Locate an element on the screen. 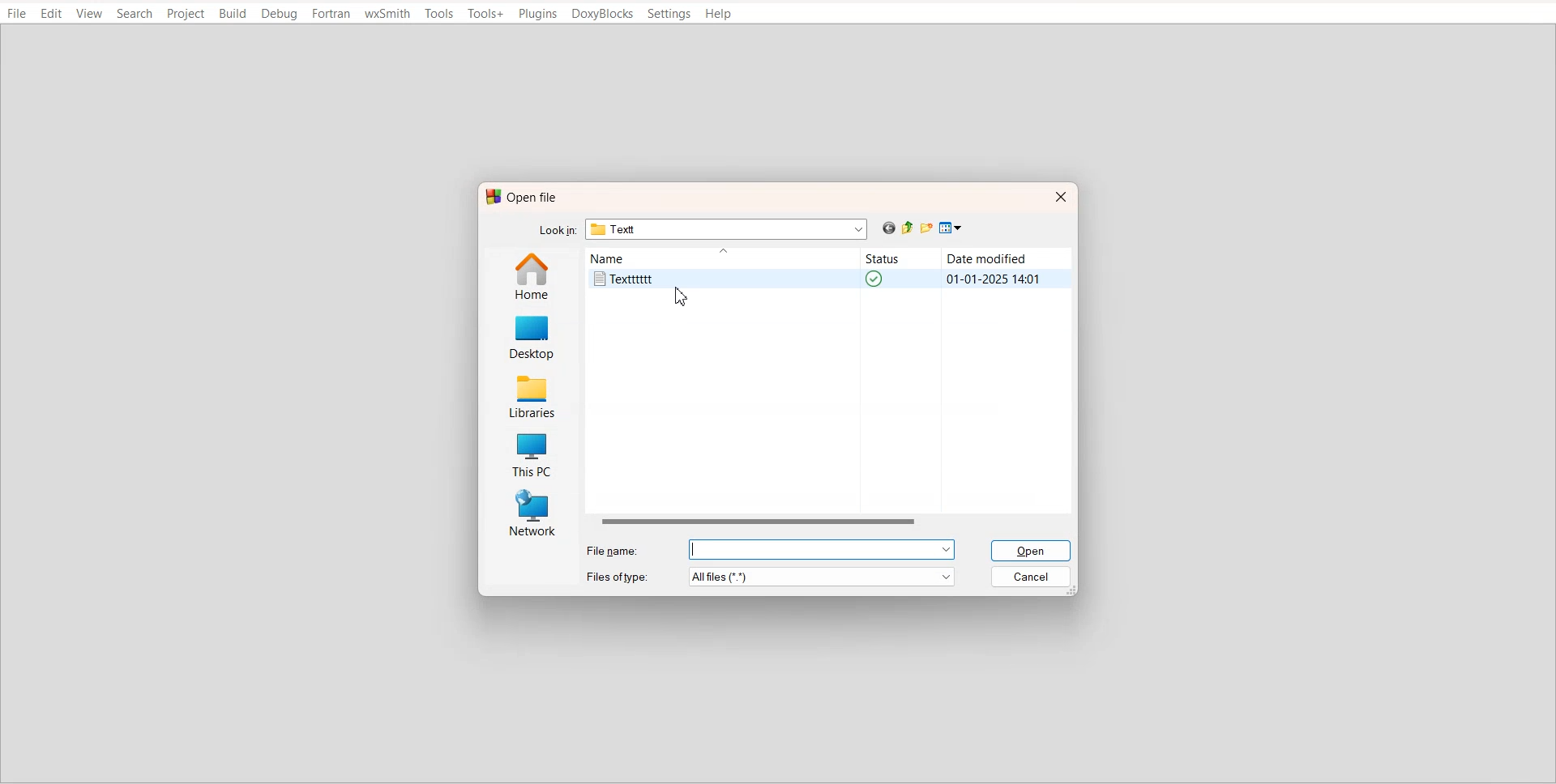 The image size is (1556, 784). View menu is located at coordinates (953, 229).